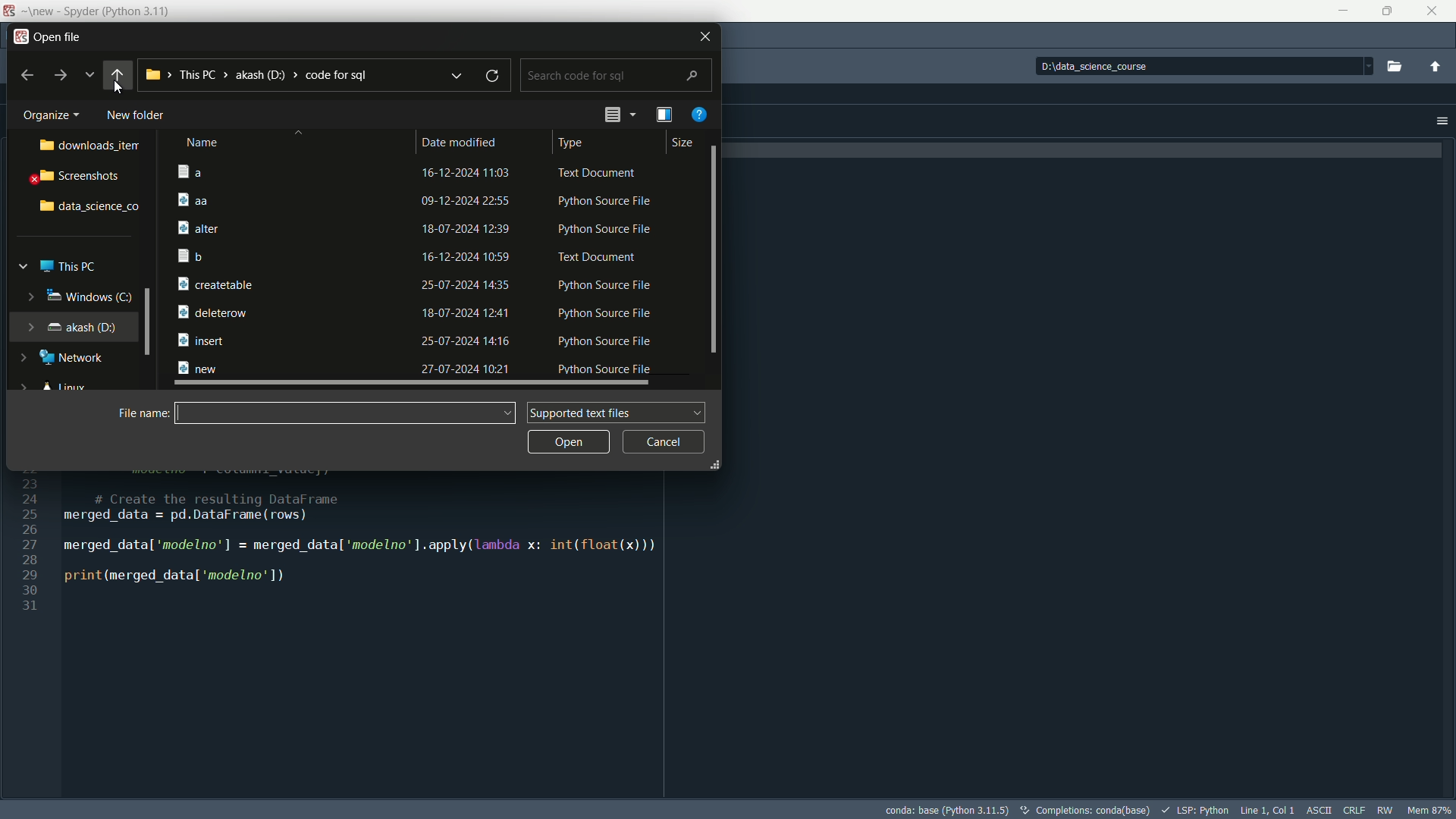 This screenshot has height=819, width=1456. I want to click on a, so click(202, 172).